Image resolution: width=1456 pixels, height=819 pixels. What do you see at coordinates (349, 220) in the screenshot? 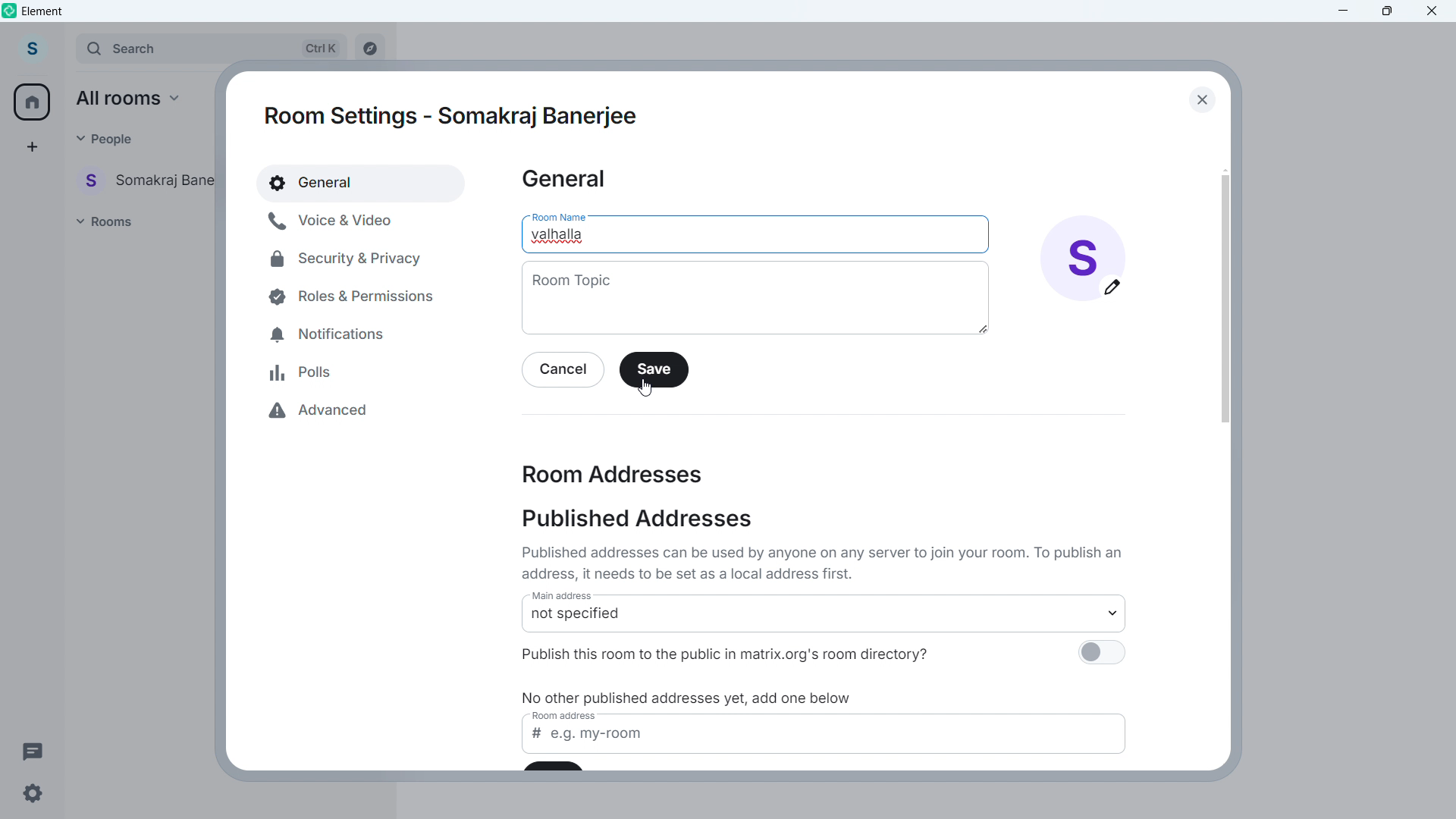
I see `Voice and video ` at bounding box center [349, 220].